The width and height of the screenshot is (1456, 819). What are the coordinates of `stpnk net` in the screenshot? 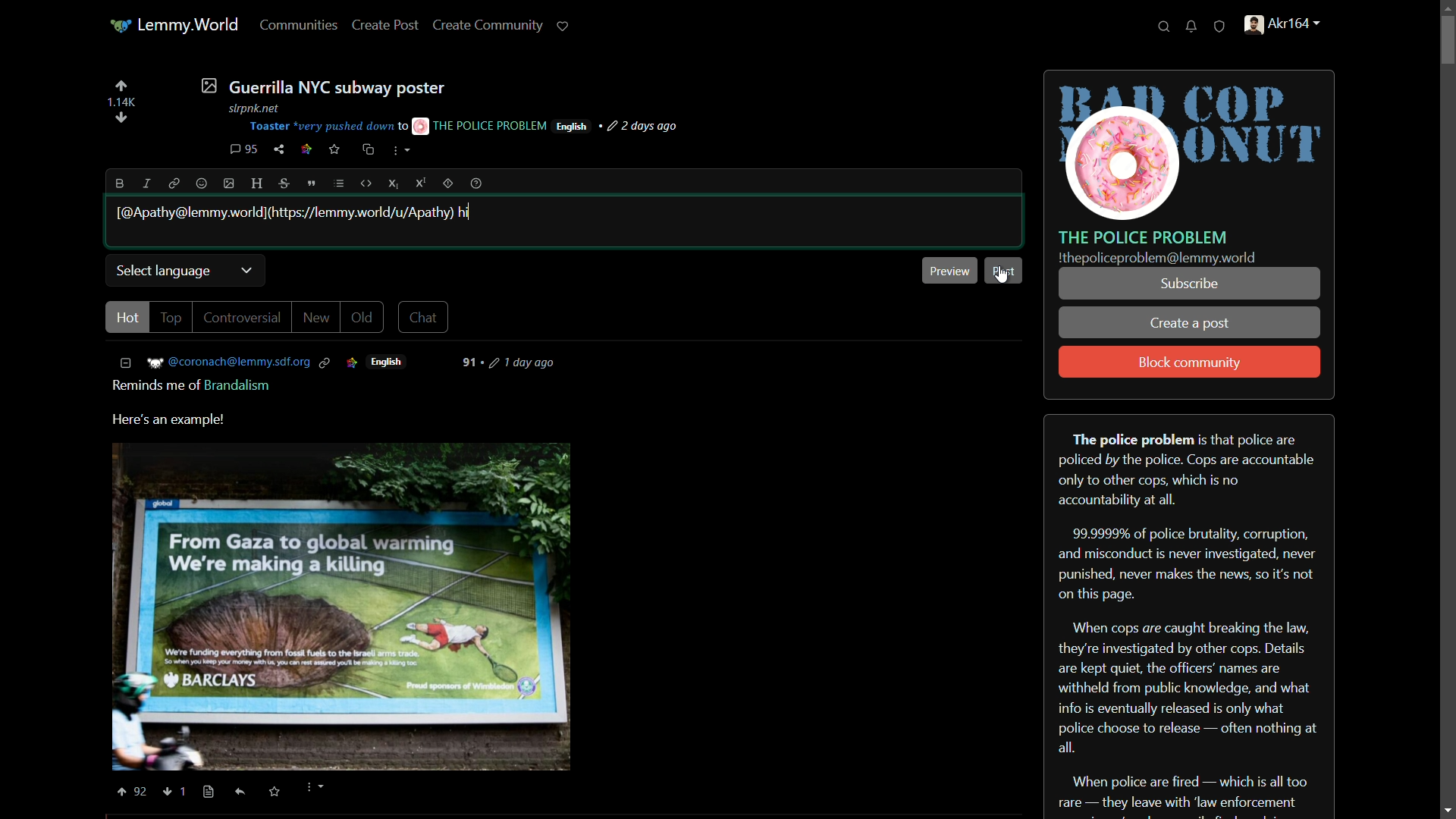 It's located at (250, 106).